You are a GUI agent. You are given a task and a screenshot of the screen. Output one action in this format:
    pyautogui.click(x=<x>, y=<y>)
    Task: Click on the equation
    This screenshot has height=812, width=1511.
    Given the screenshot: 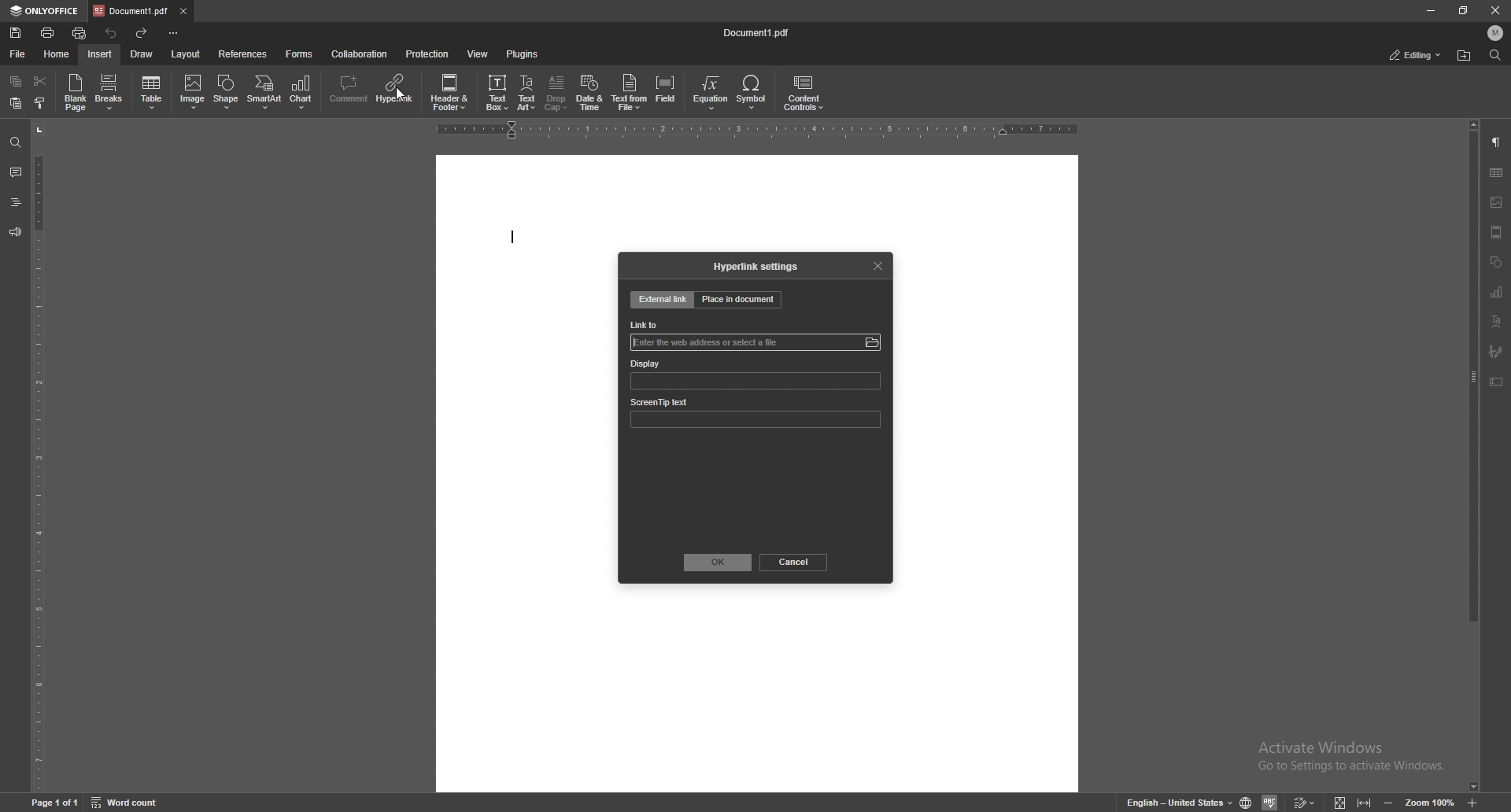 What is the action you would take?
    pyautogui.click(x=713, y=93)
    